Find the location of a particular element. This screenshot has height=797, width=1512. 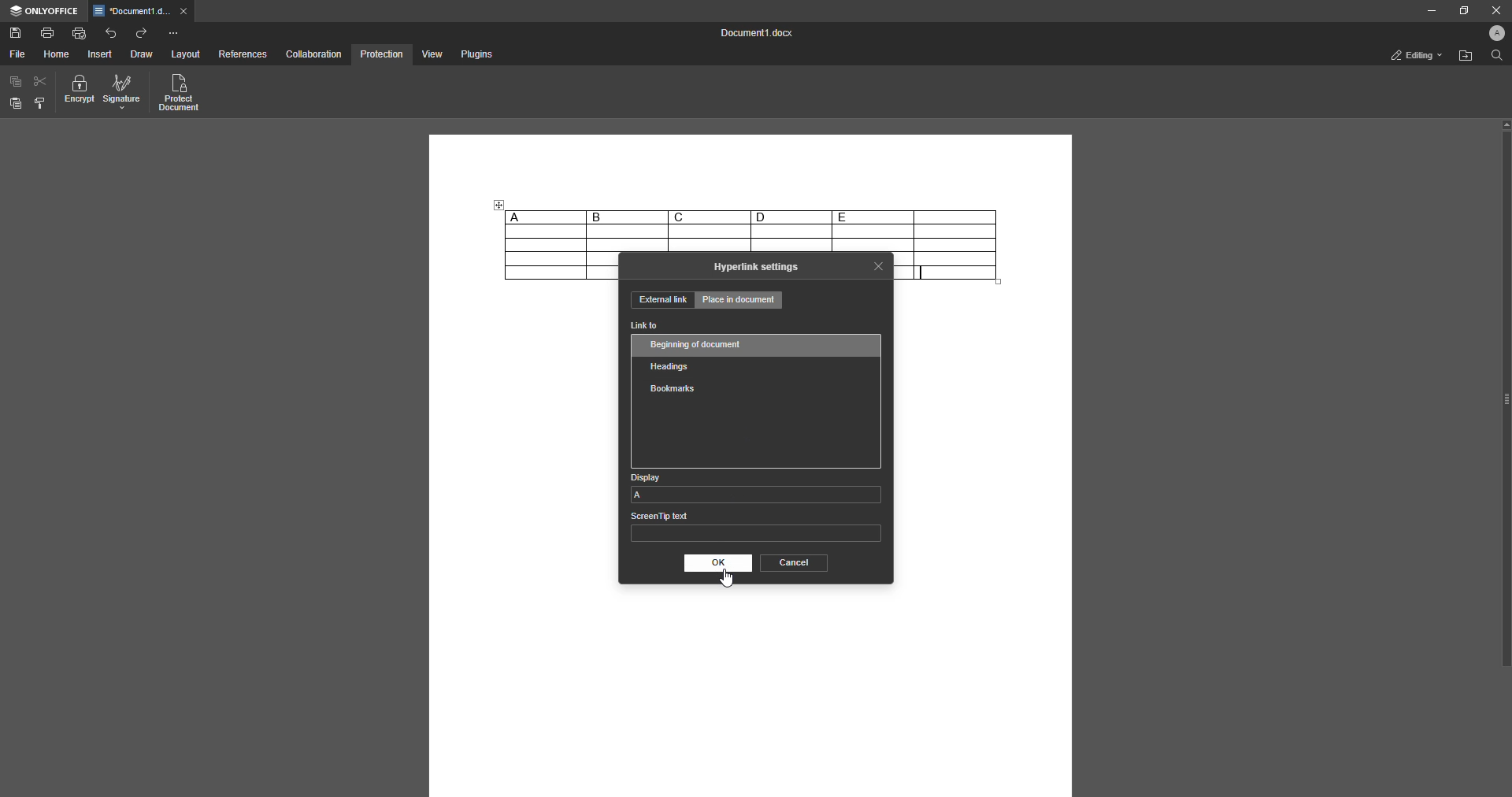

Hyperlink Settings is located at coordinates (757, 267).